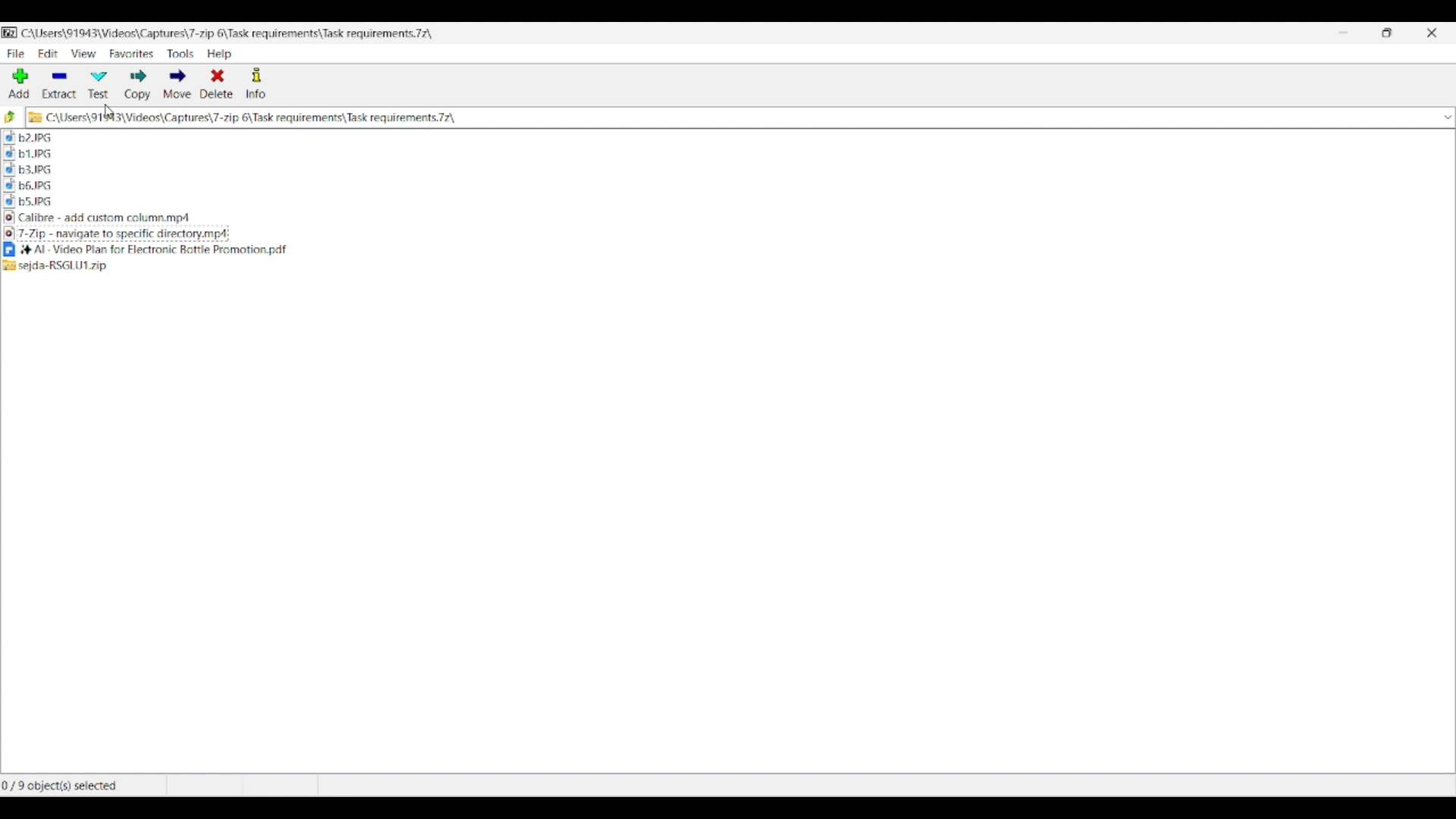  I want to click on 0/9 objects selected, so click(81, 786).